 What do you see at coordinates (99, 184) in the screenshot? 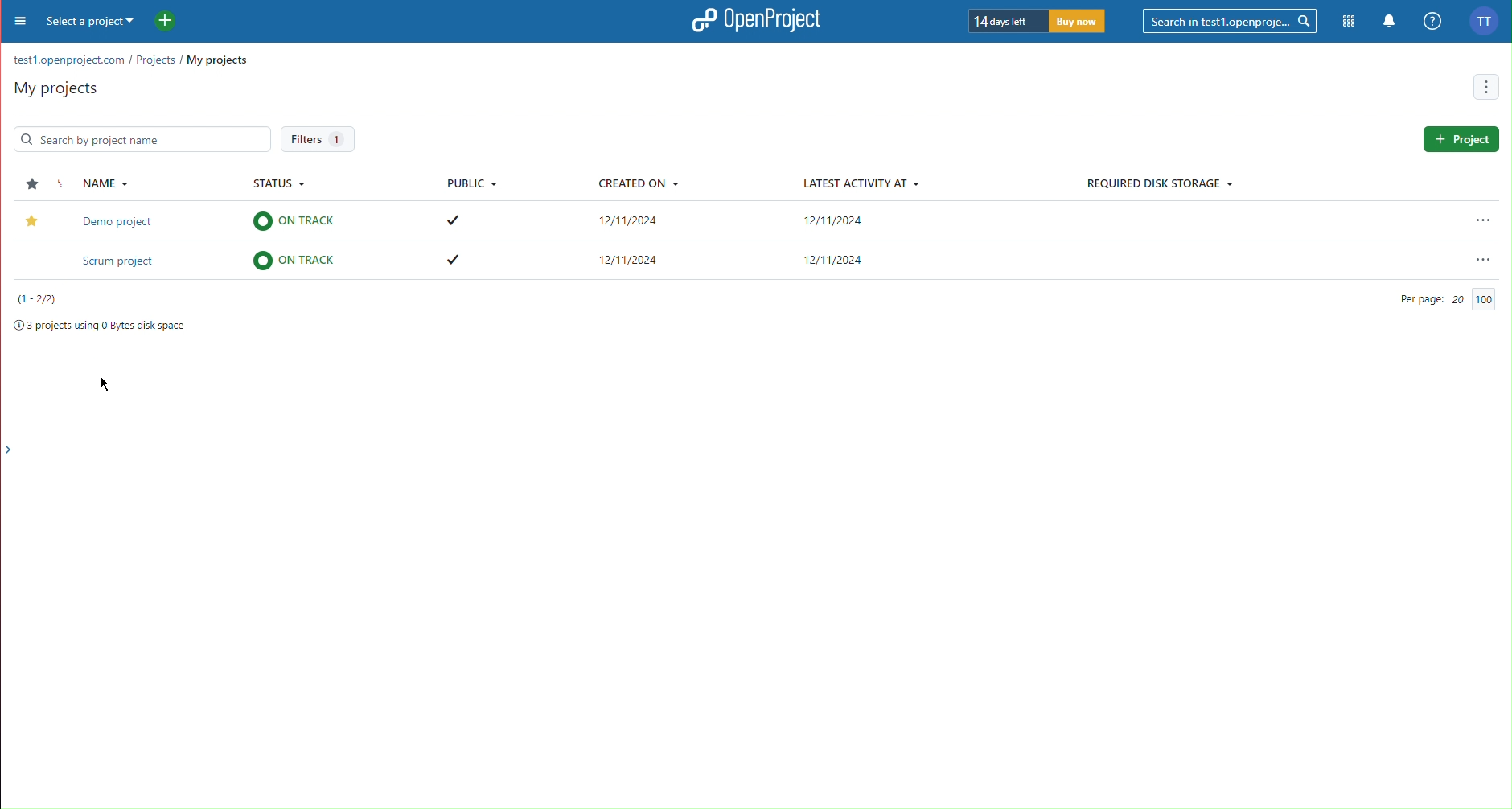
I see `Name` at bounding box center [99, 184].